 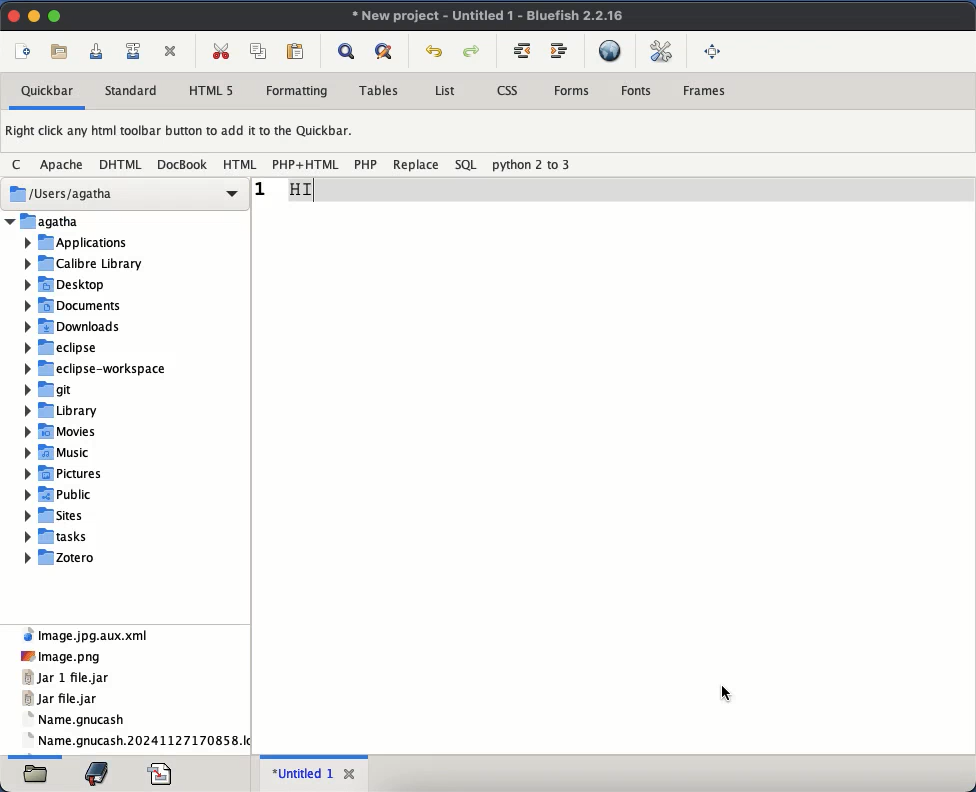 I want to click on Public, so click(x=58, y=494).